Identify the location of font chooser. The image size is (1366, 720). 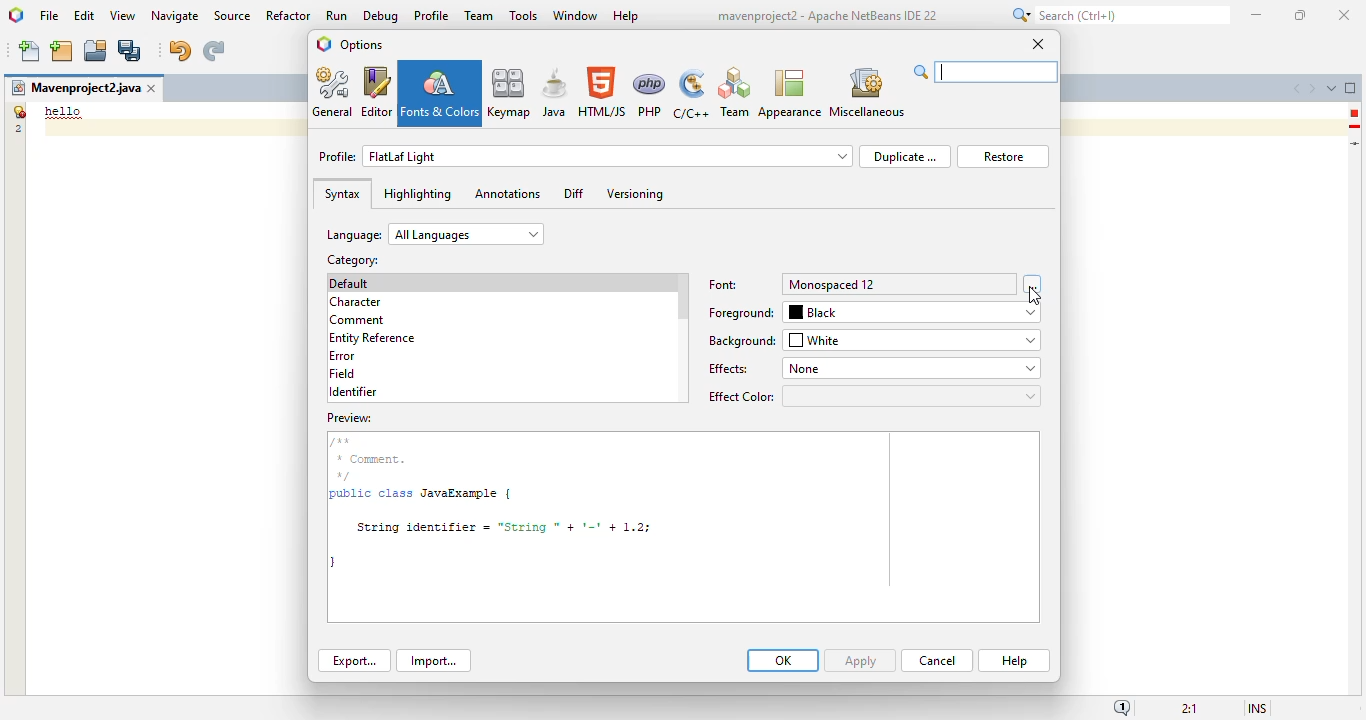
(1033, 283).